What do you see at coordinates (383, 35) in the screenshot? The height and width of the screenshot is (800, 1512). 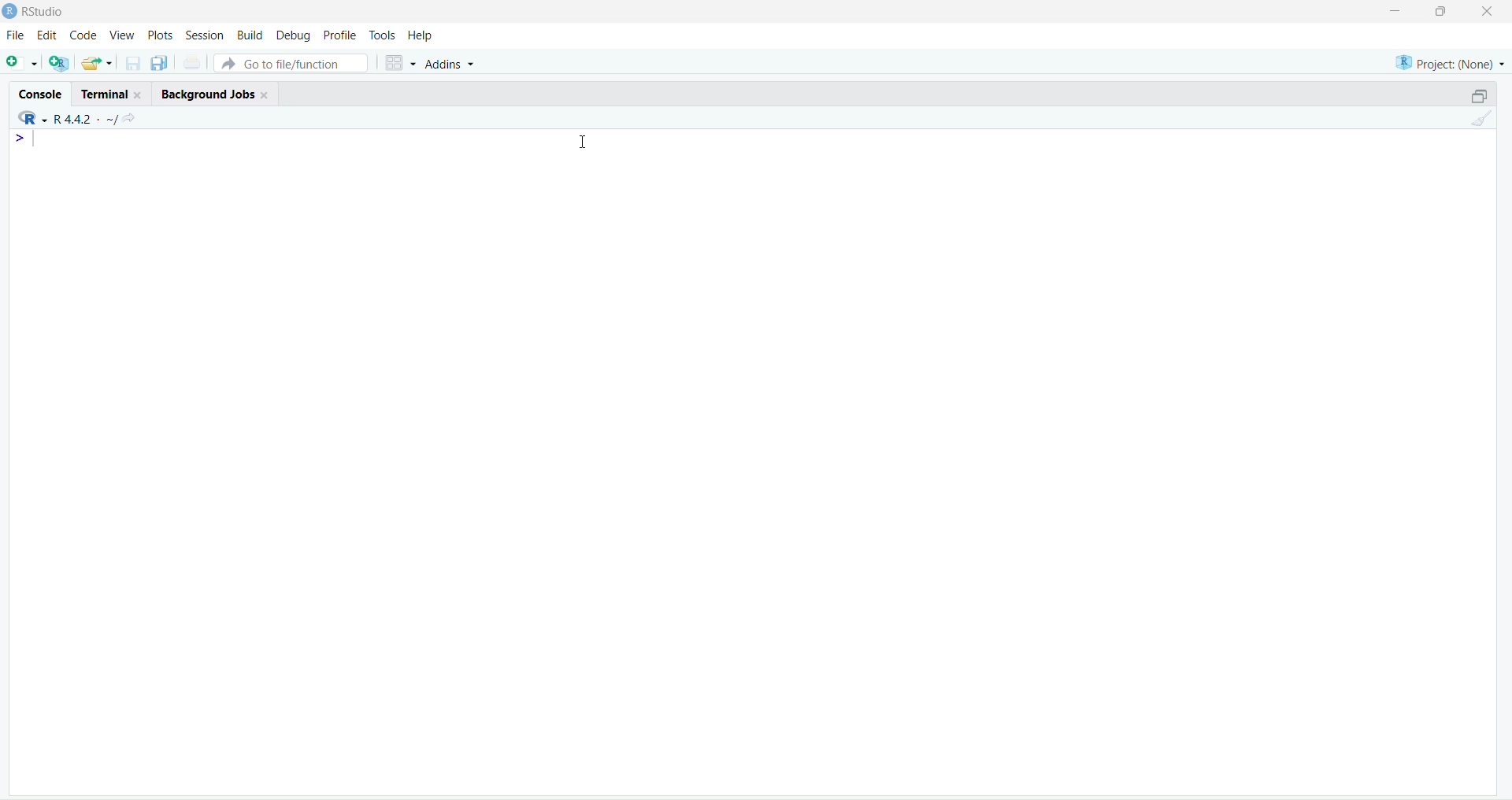 I see `Tools` at bounding box center [383, 35].